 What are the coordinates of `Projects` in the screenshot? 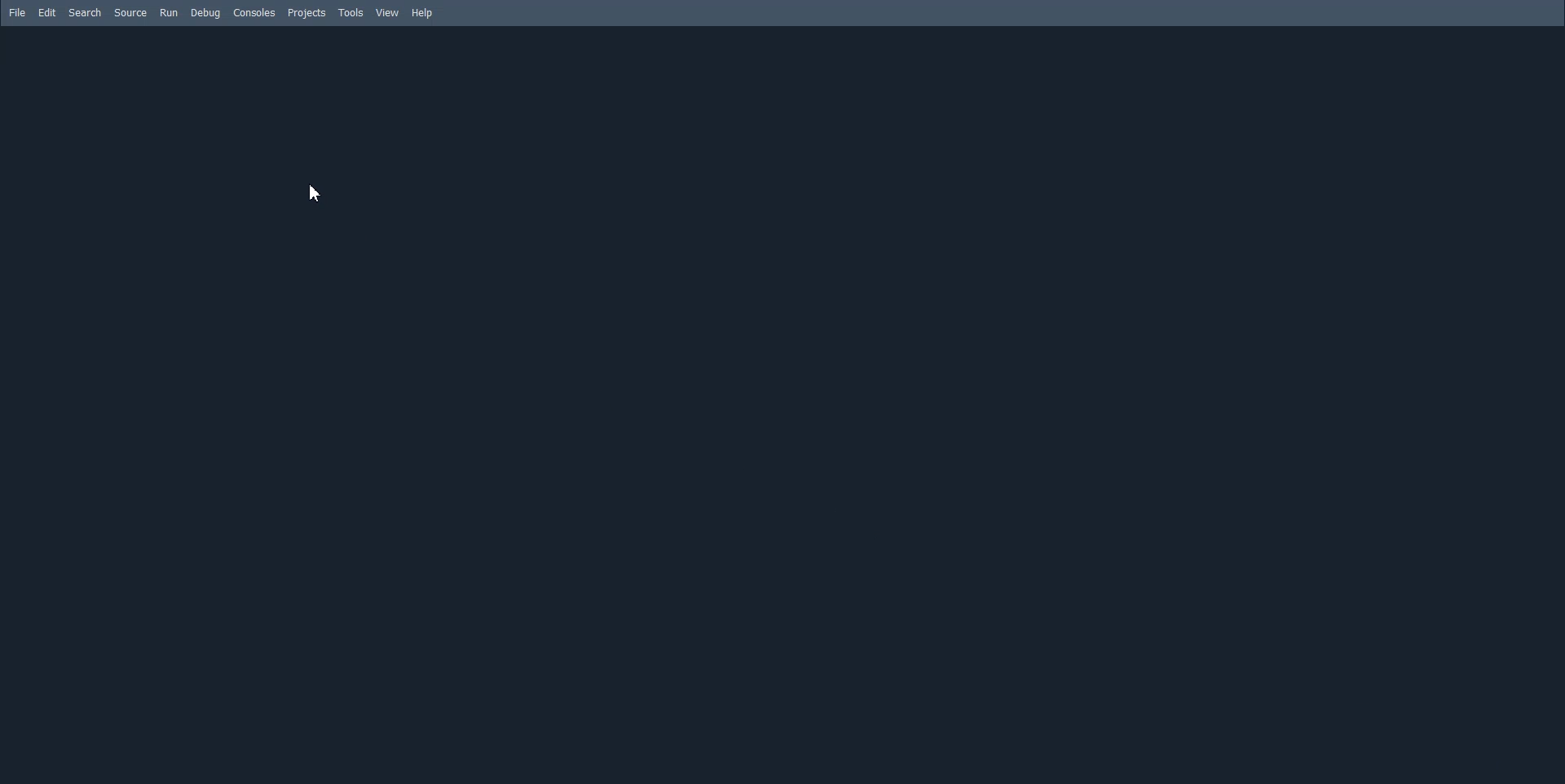 It's located at (306, 13).